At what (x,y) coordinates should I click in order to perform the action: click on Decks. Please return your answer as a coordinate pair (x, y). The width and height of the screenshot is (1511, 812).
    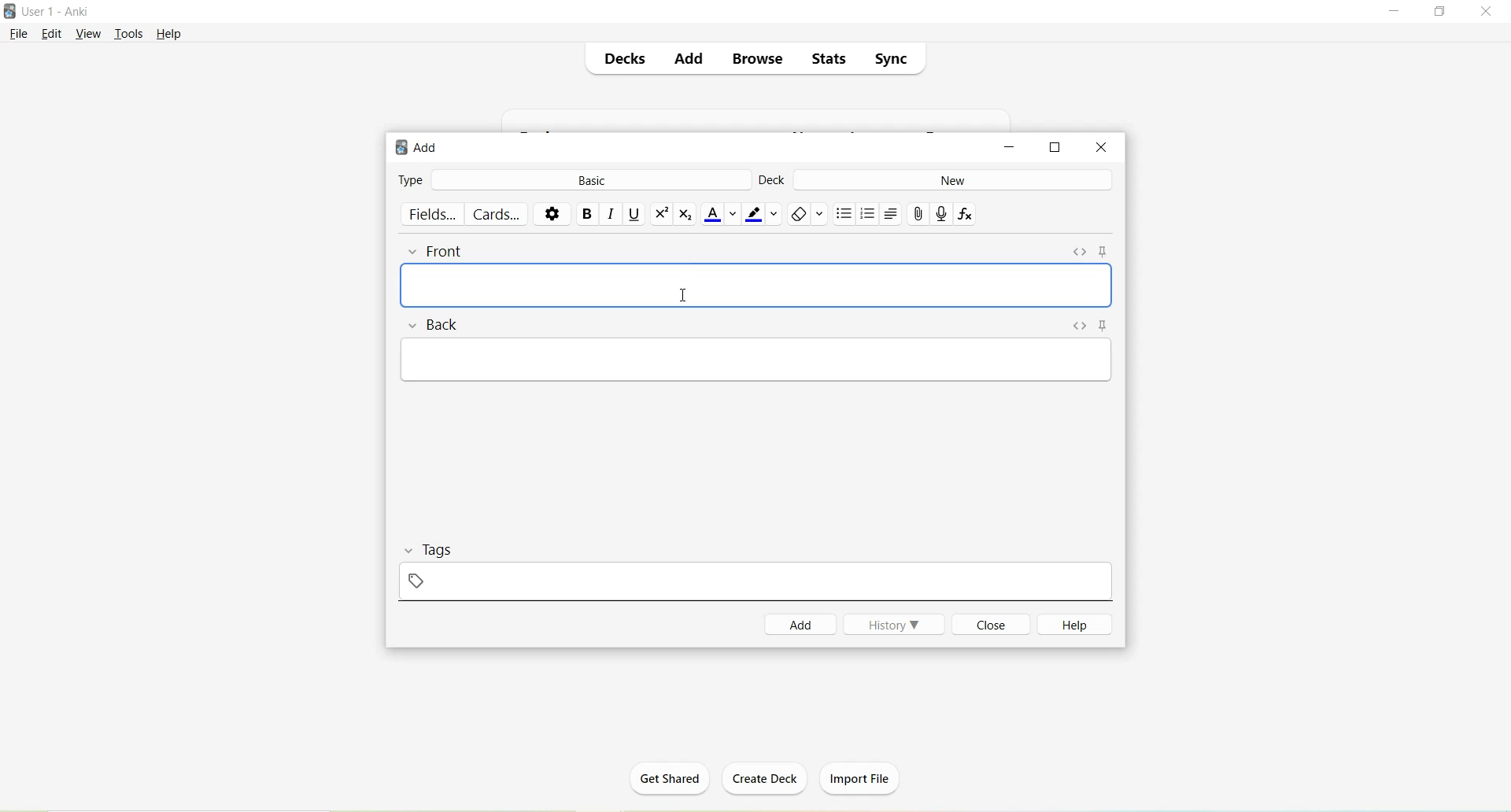
    Looking at the image, I should click on (623, 57).